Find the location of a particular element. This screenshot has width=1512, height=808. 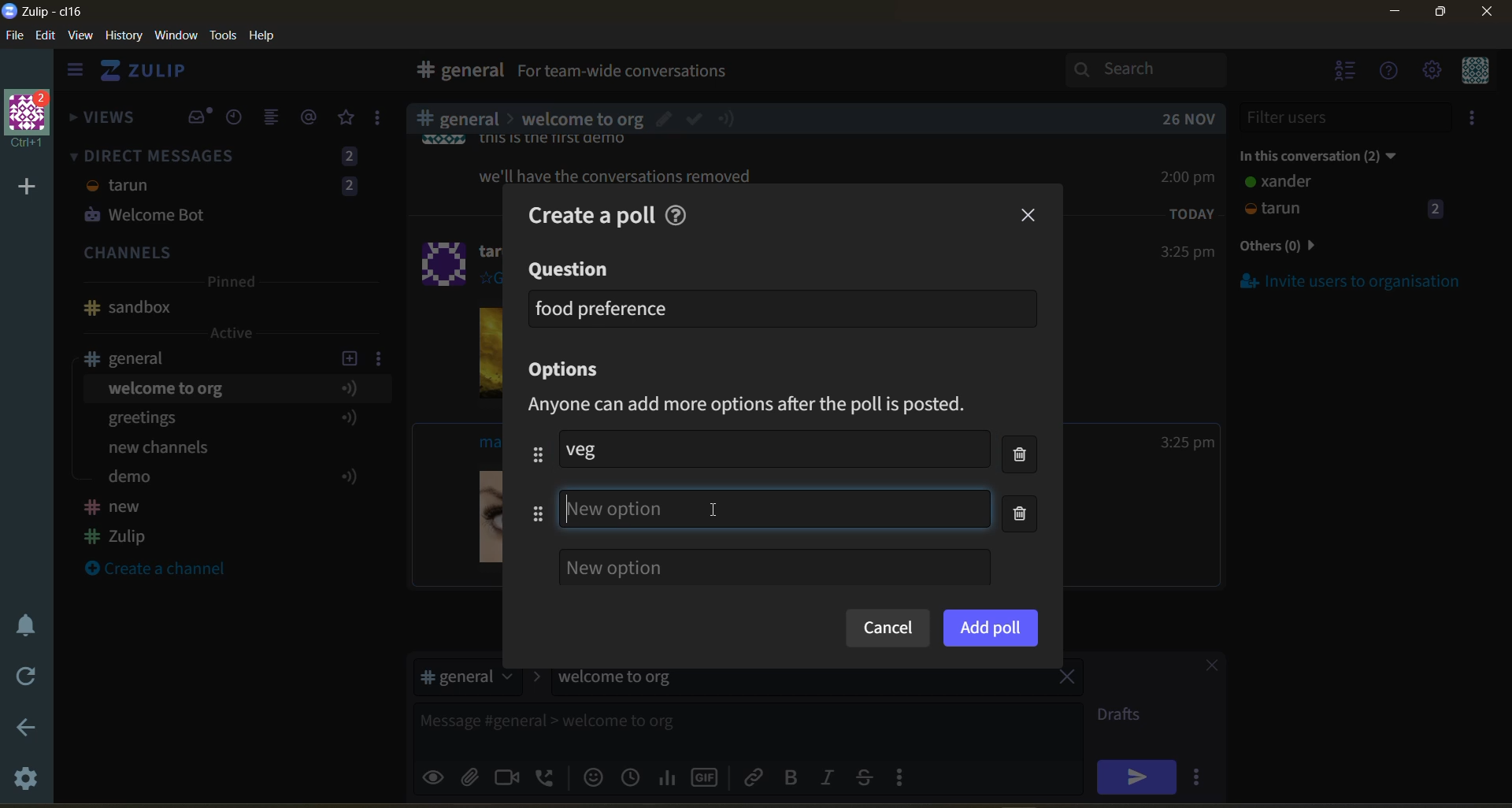

help is located at coordinates (915, 74).